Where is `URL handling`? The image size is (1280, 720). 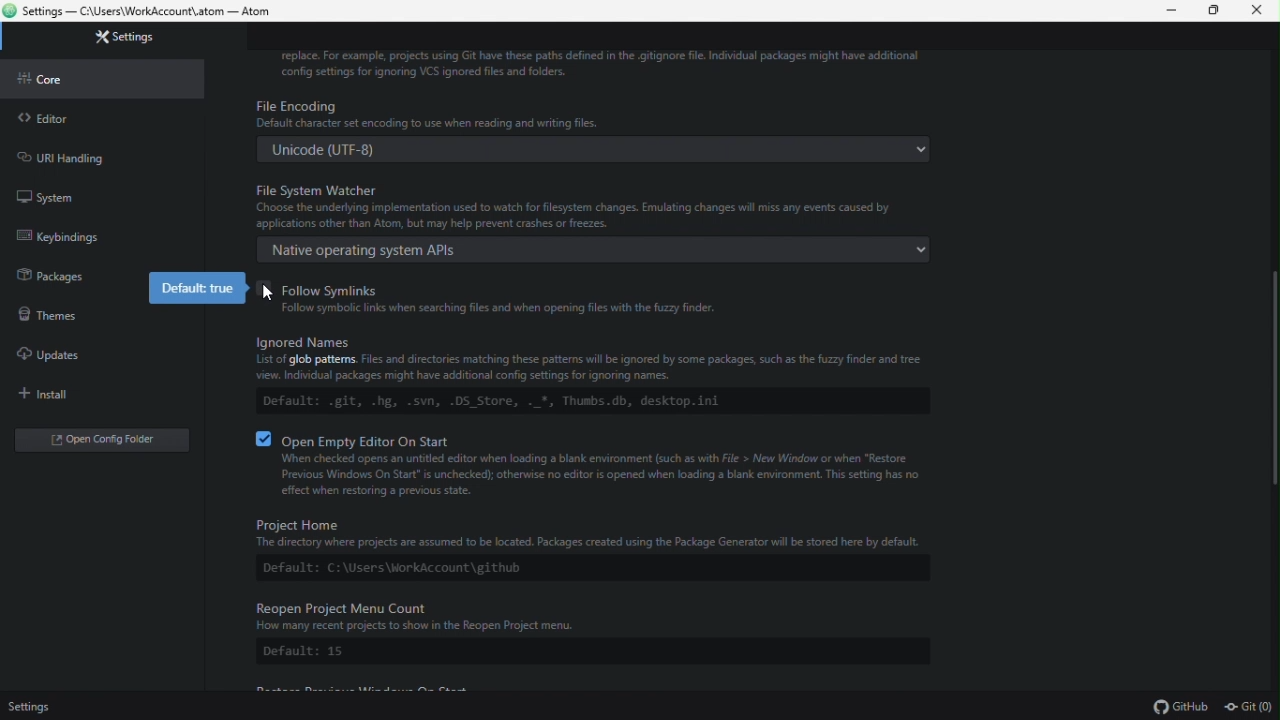
URL handling is located at coordinates (97, 155).